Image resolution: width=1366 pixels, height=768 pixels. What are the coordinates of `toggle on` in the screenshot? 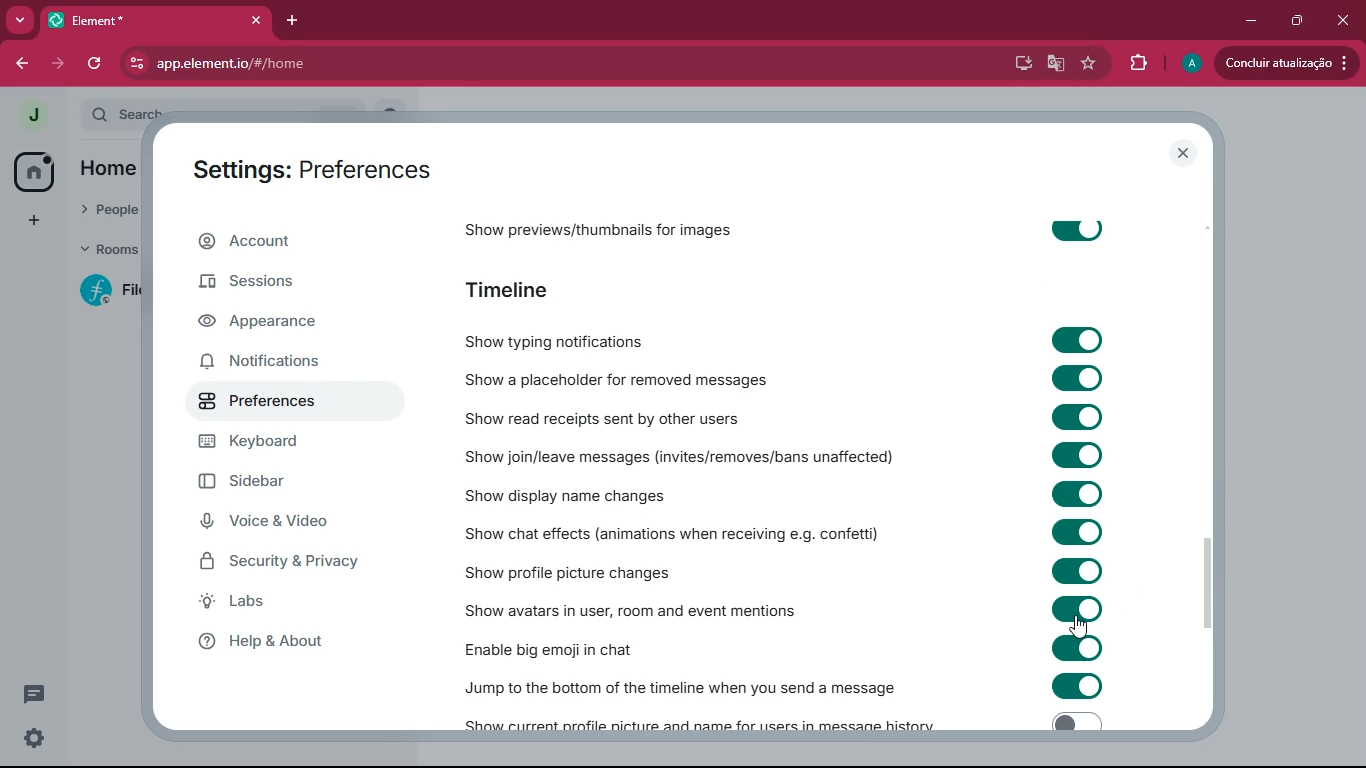 It's located at (1075, 229).